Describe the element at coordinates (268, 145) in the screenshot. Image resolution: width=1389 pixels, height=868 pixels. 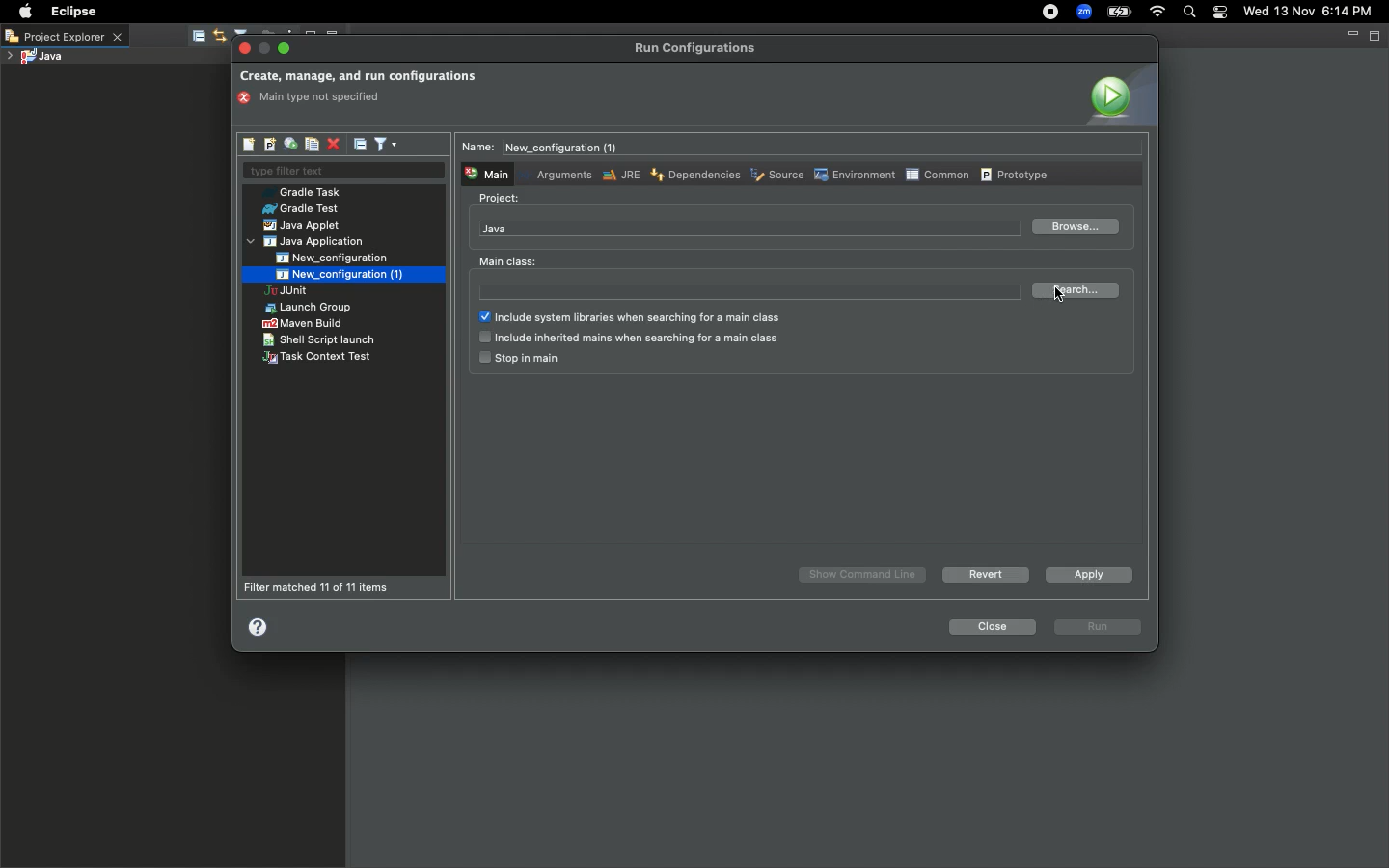
I see `New launch configuration prototype` at that location.